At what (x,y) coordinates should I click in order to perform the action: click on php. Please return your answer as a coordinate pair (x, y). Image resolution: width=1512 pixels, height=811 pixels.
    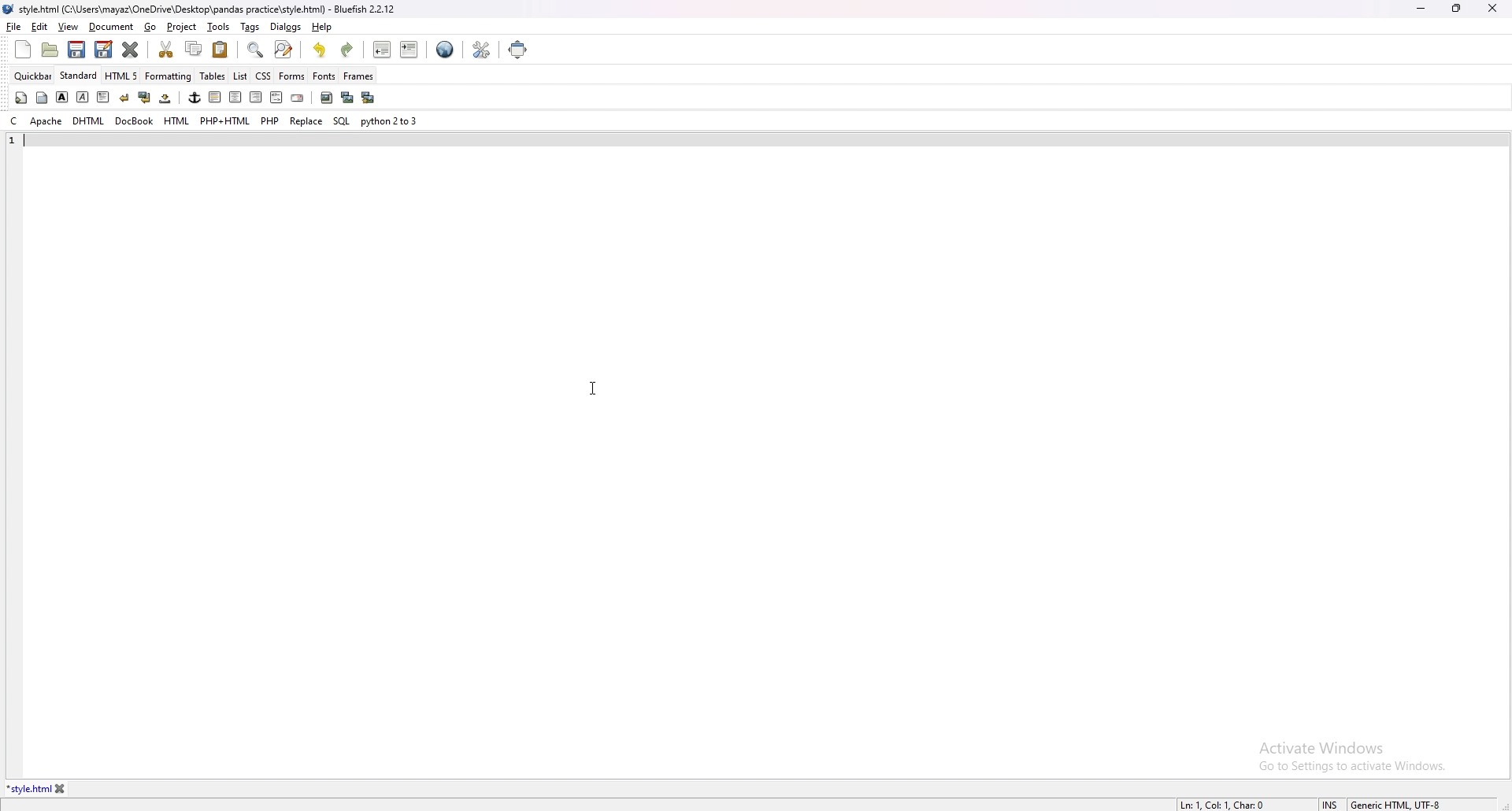
    Looking at the image, I should click on (270, 120).